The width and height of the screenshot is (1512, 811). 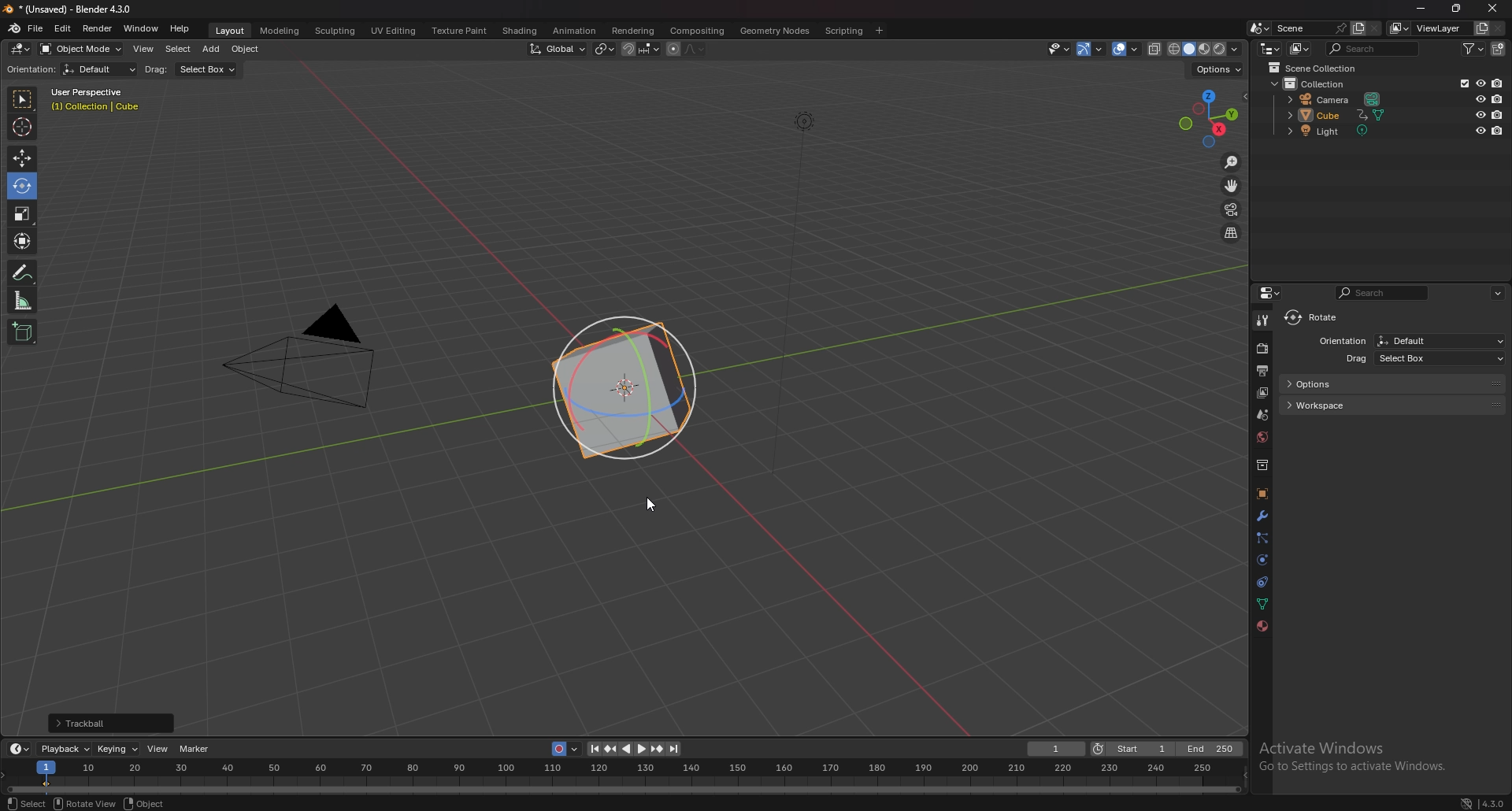 What do you see at coordinates (675, 748) in the screenshot?
I see `jump to endpoint` at bounding box center [675, 748].